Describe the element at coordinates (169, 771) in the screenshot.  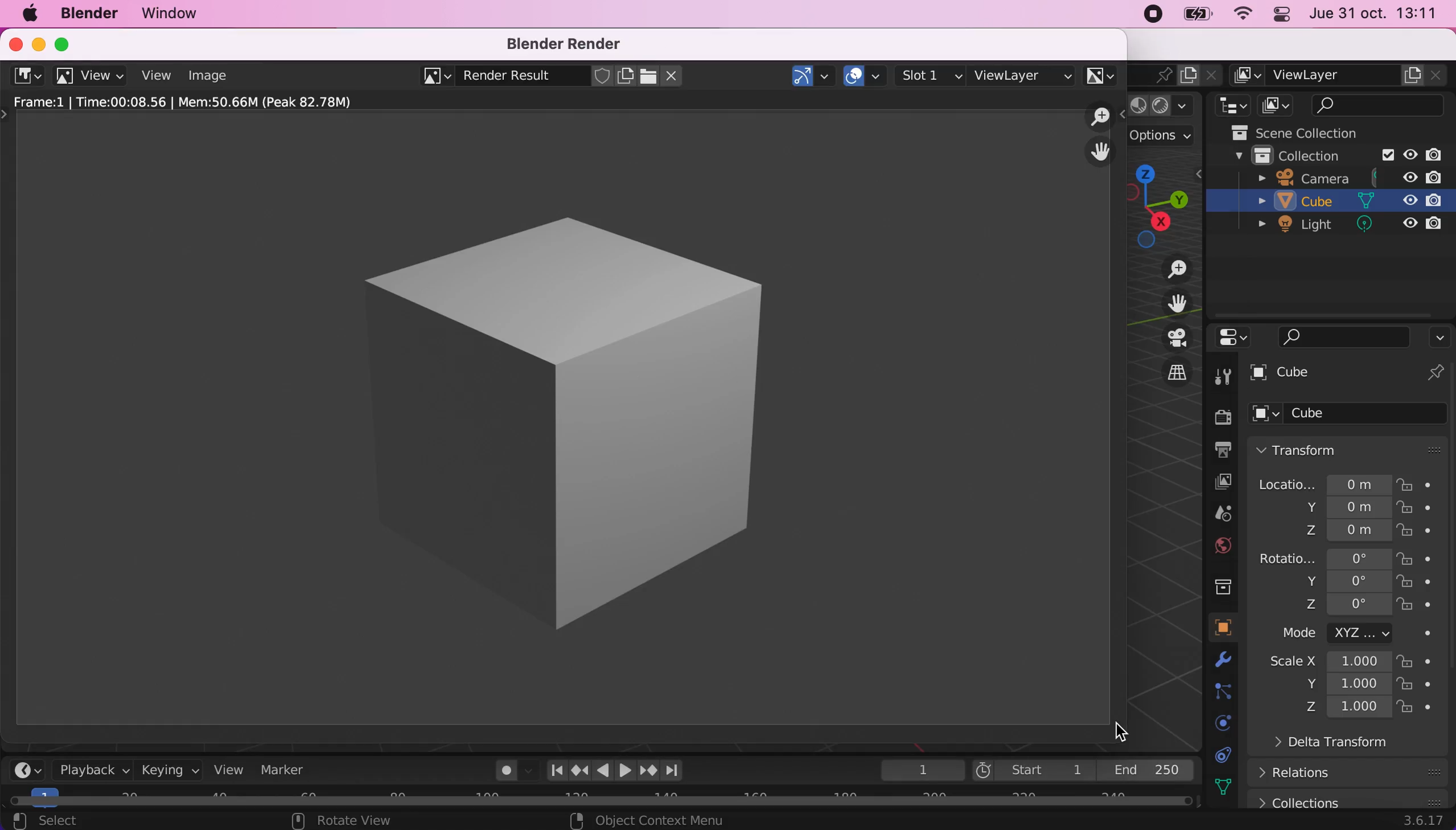
I see `keying` at that location.